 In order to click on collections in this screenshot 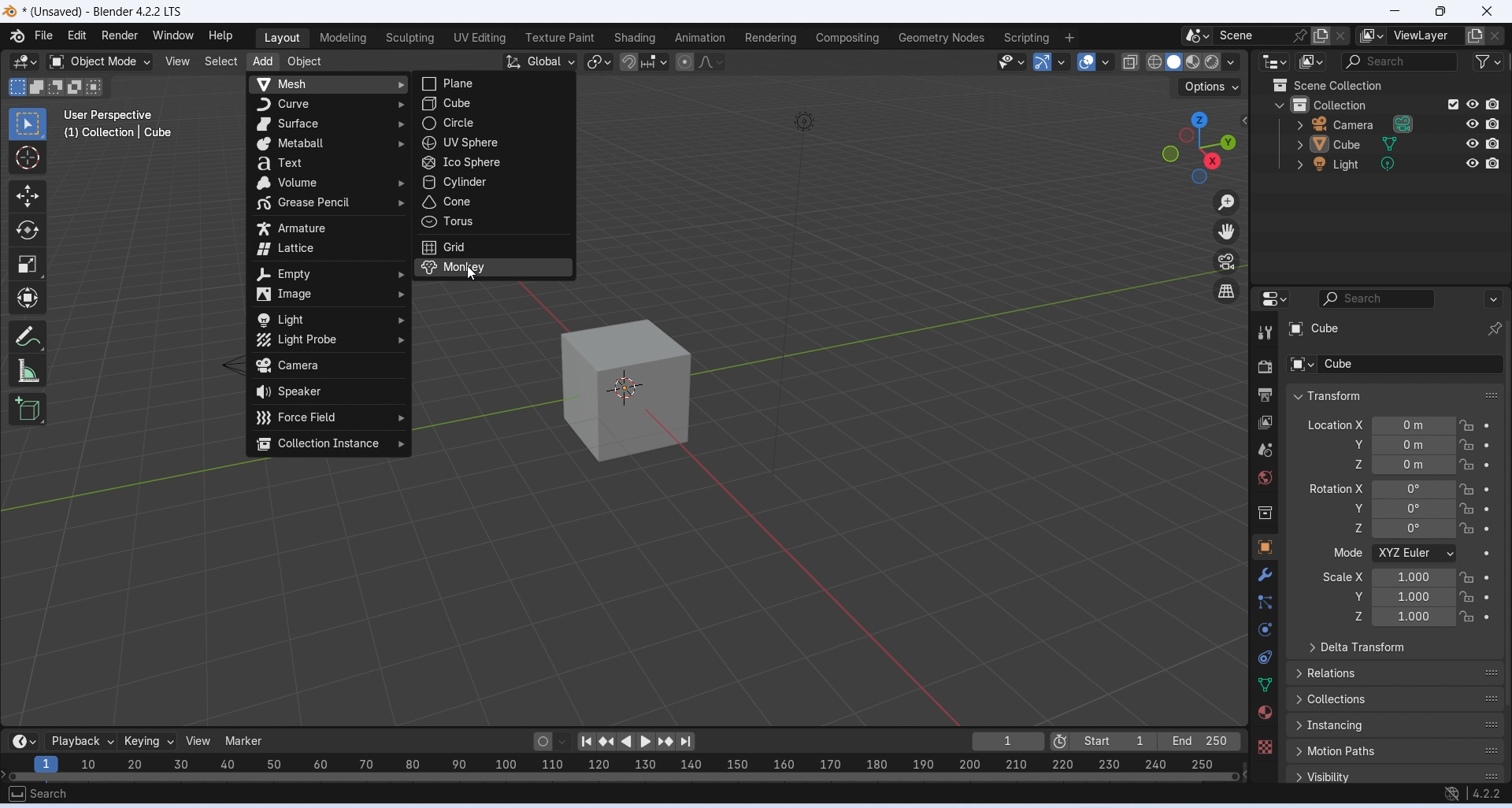, I will do `click(1395, 700)`.